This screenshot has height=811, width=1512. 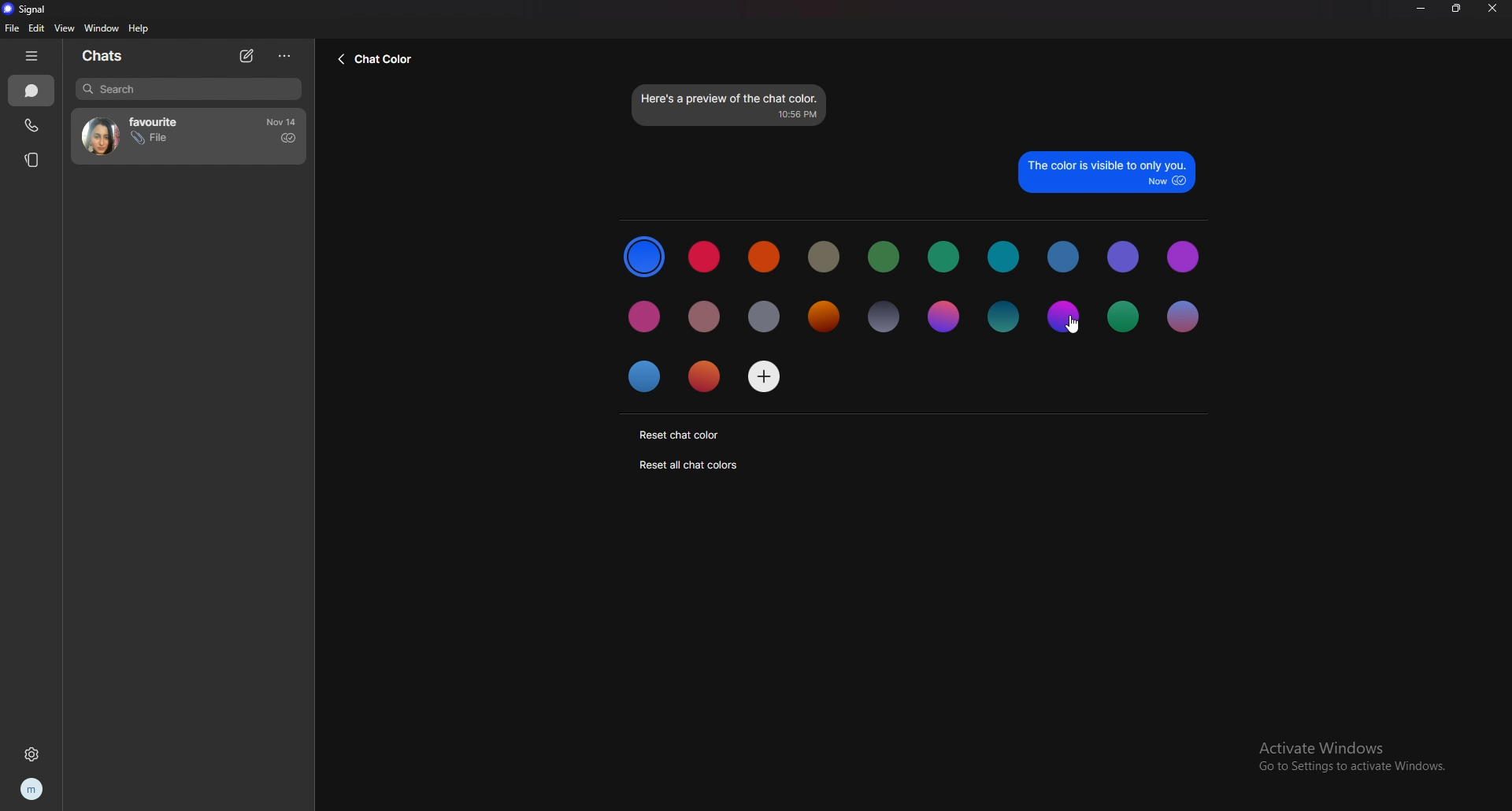 What do you see at coordinates (29, 9) in the screenshot?
I see `signal` at bounding box center [29, 9].